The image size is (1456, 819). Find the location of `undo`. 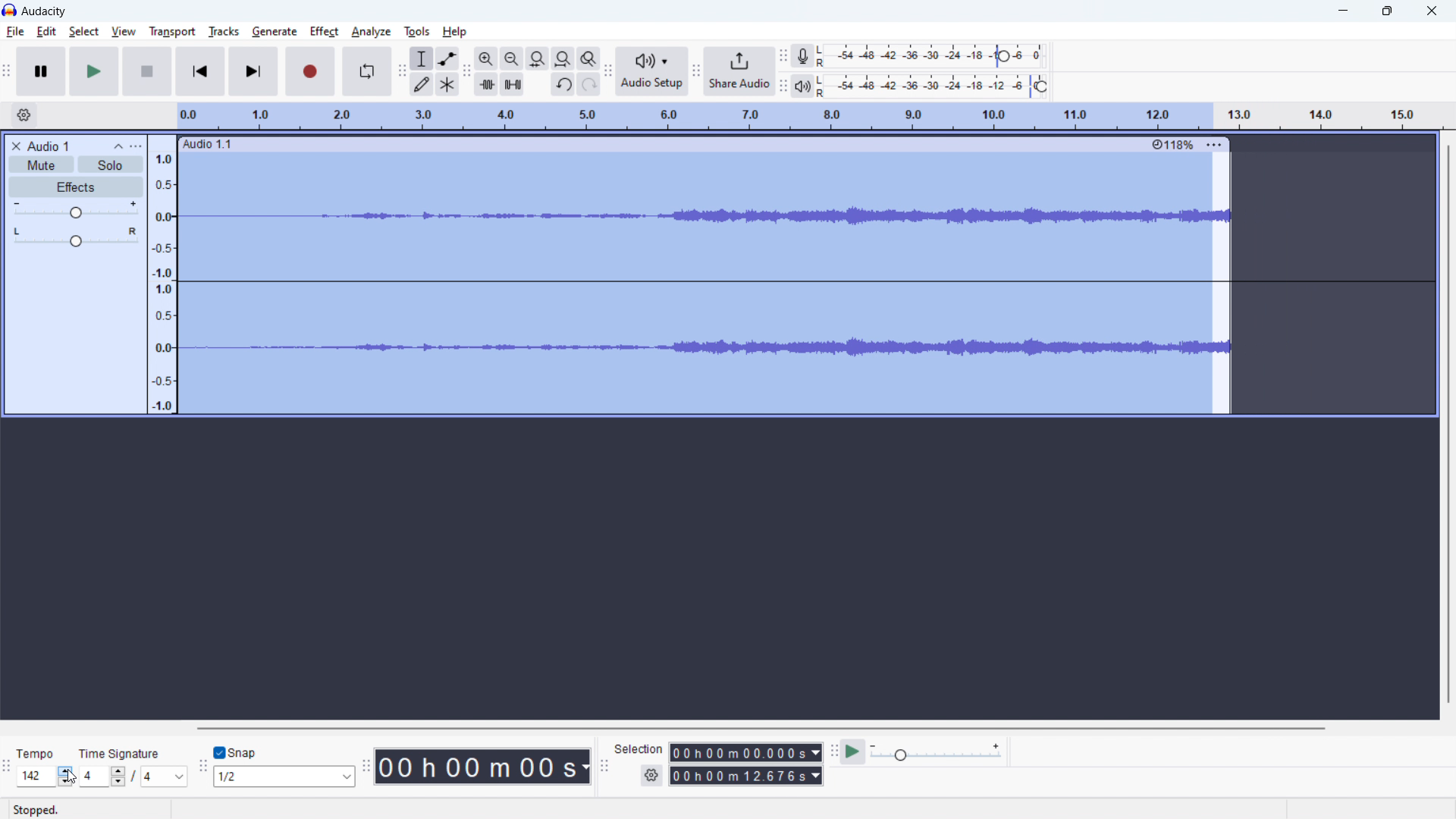

undo is located at coordinates (563, 84).